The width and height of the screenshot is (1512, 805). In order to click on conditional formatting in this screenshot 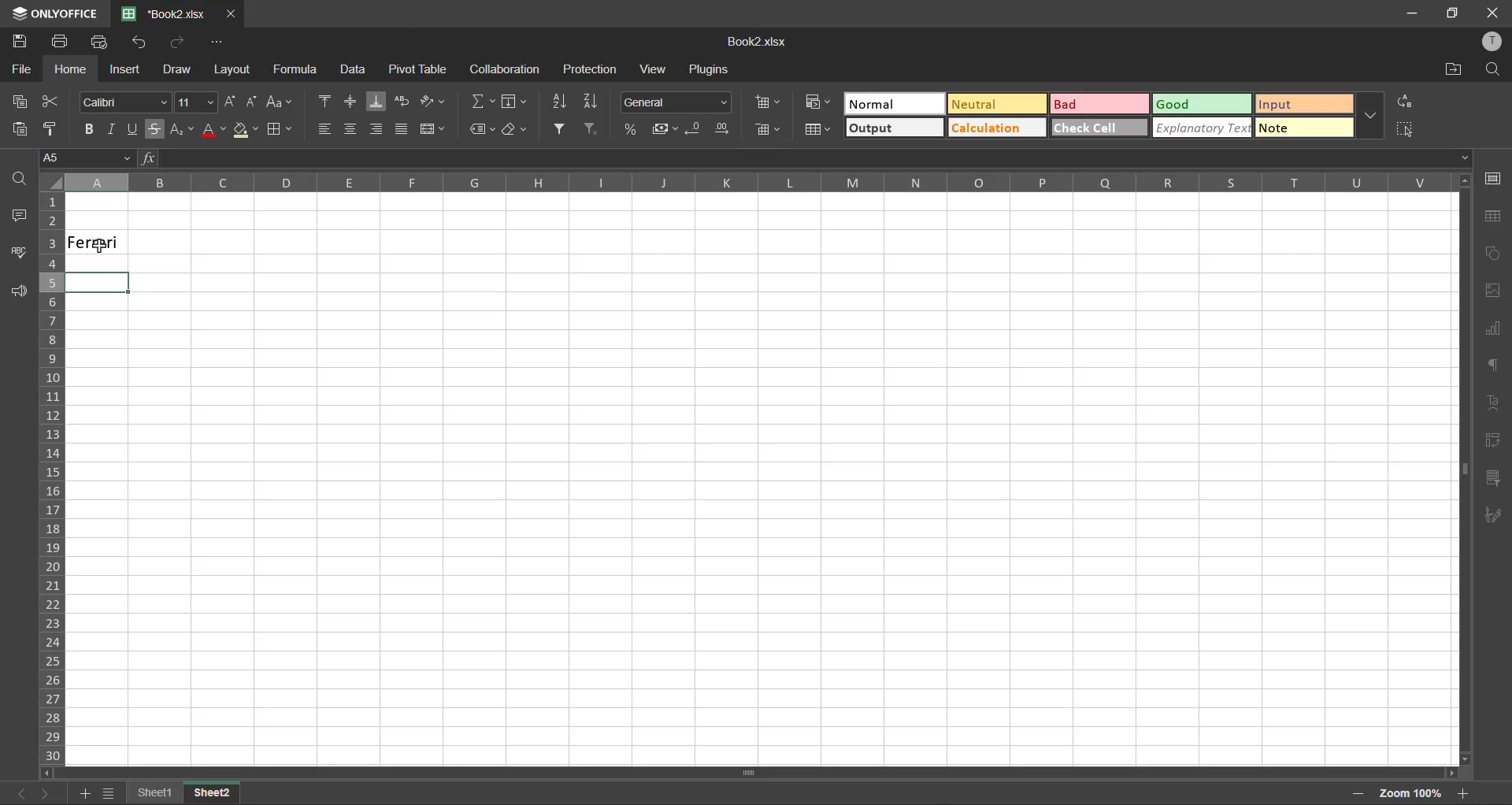, I will do `click(817, 103)`.